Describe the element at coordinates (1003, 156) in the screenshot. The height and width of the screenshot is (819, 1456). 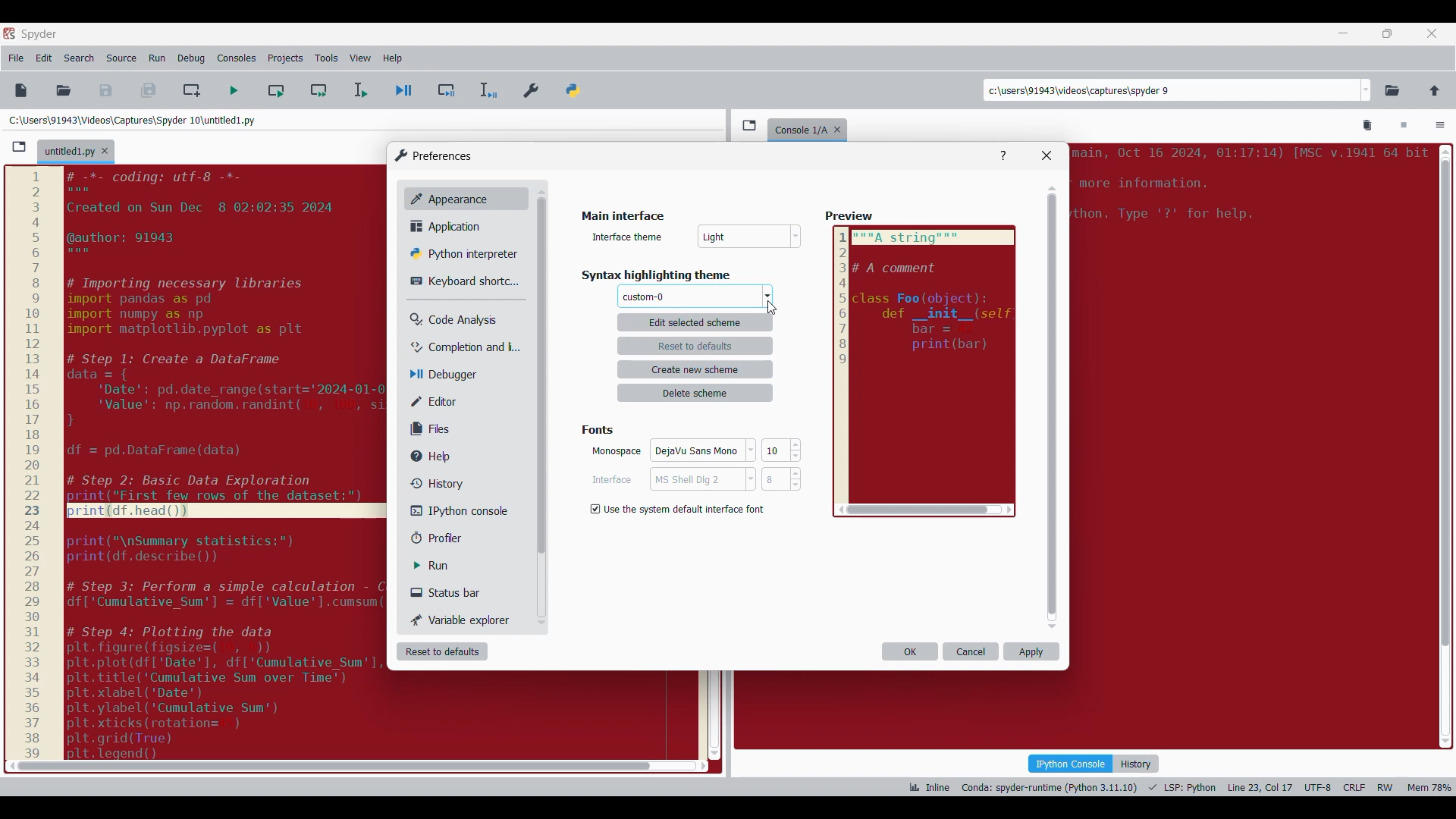
I see `Help` at that location.